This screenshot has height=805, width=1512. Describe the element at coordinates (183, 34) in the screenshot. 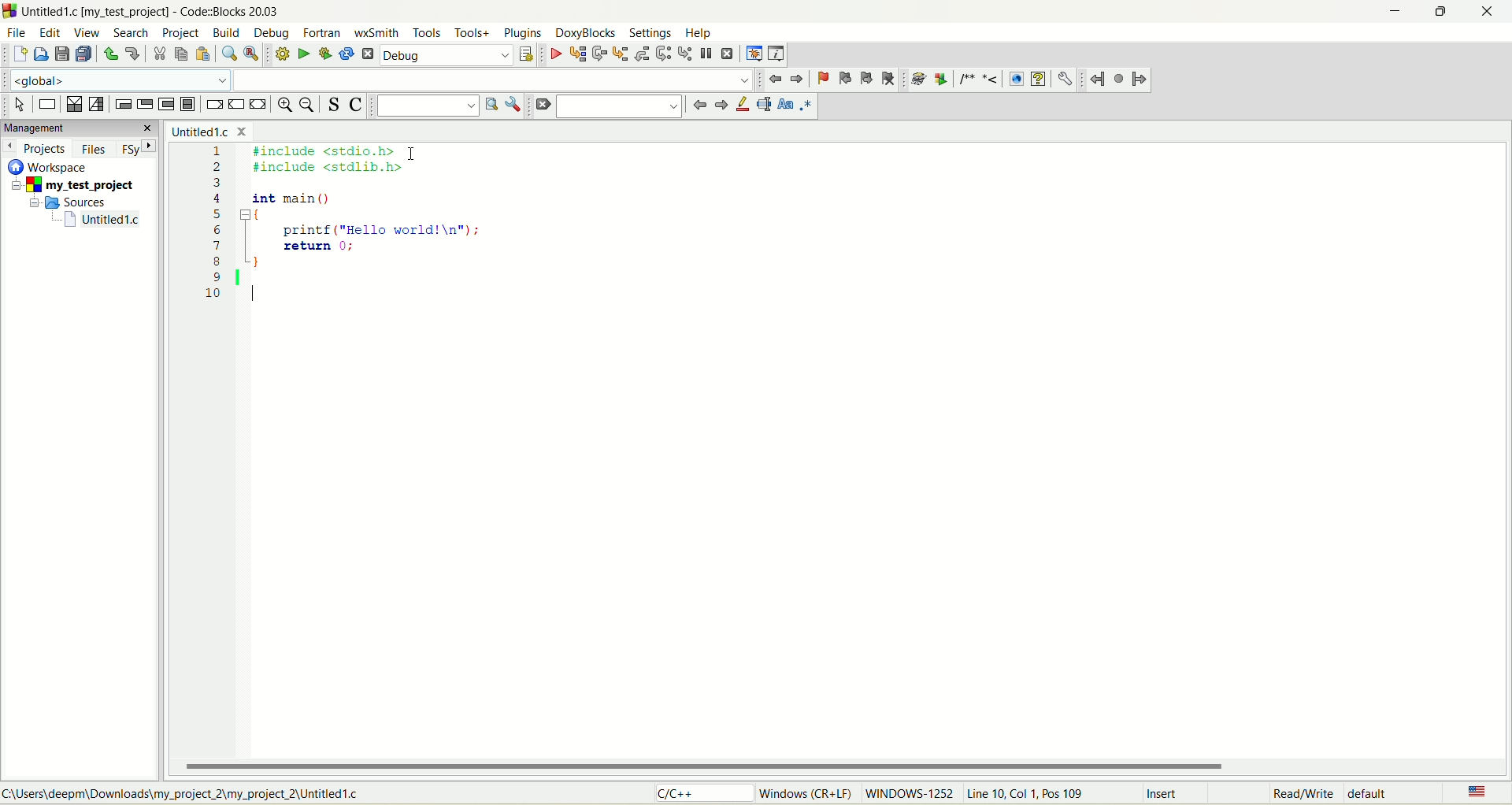

I see `project` at that location.